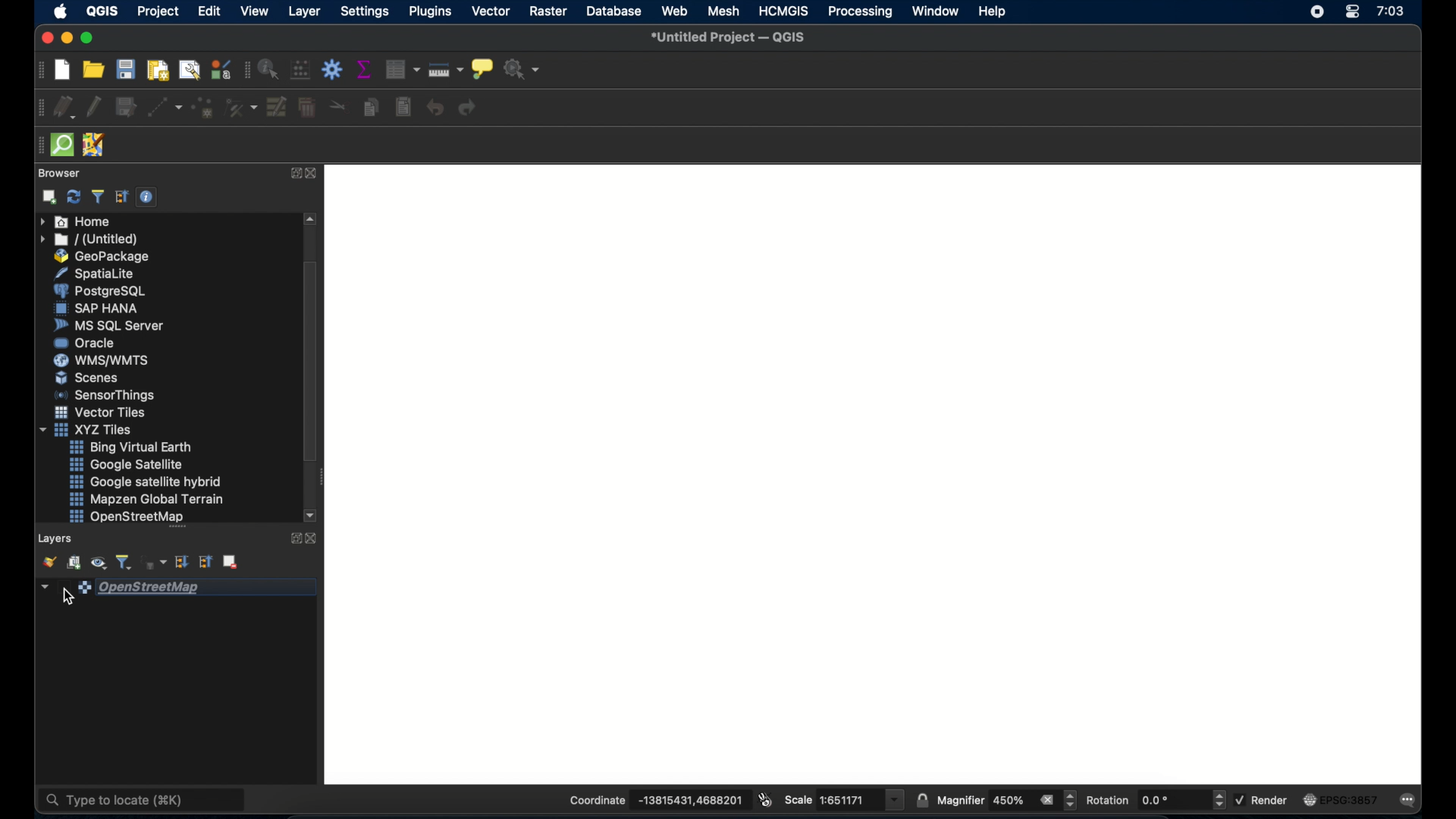 The width and height of the screenshot is (1456, 819). I want to click on project, so click(159, 12).